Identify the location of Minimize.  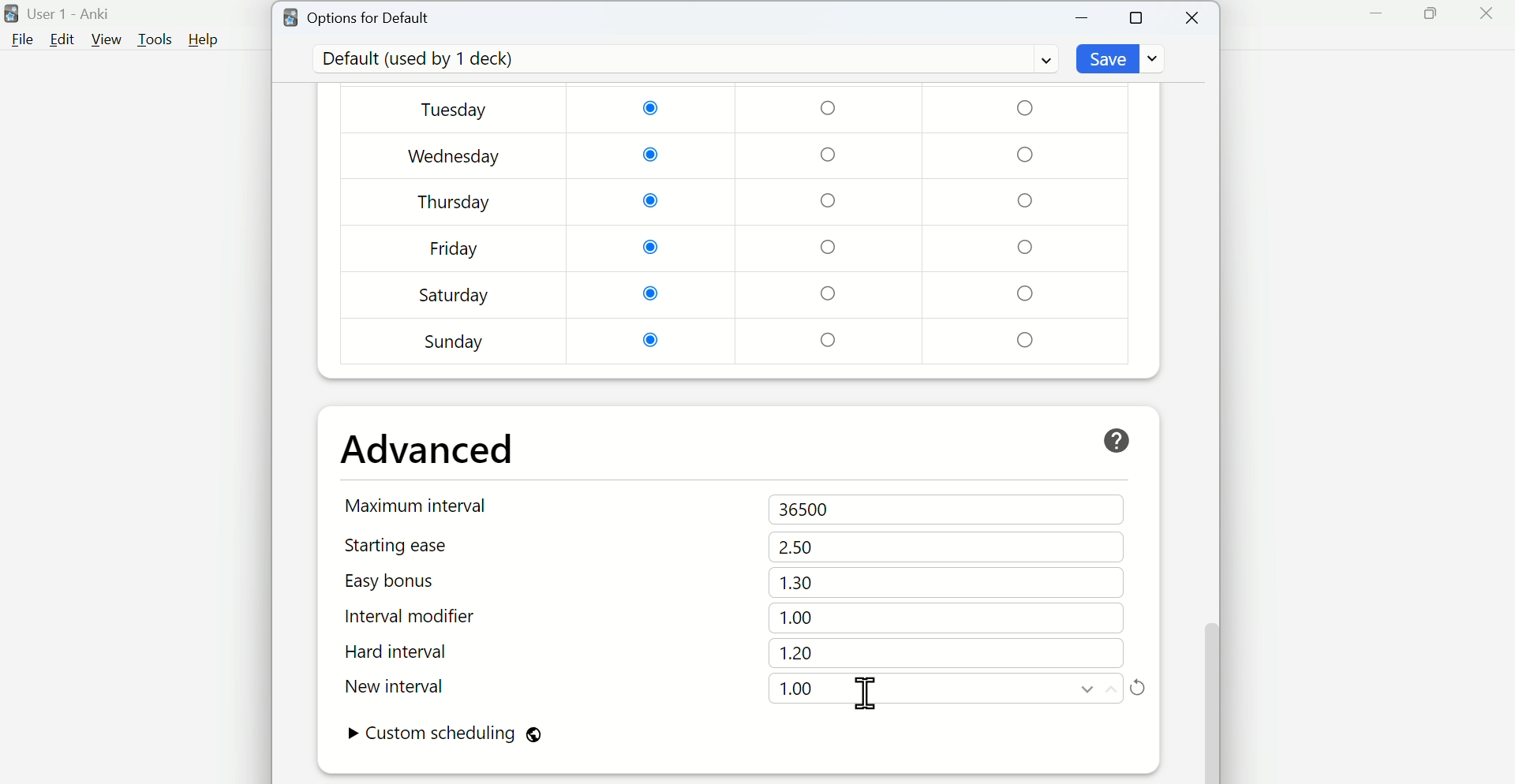
(1377, 14).